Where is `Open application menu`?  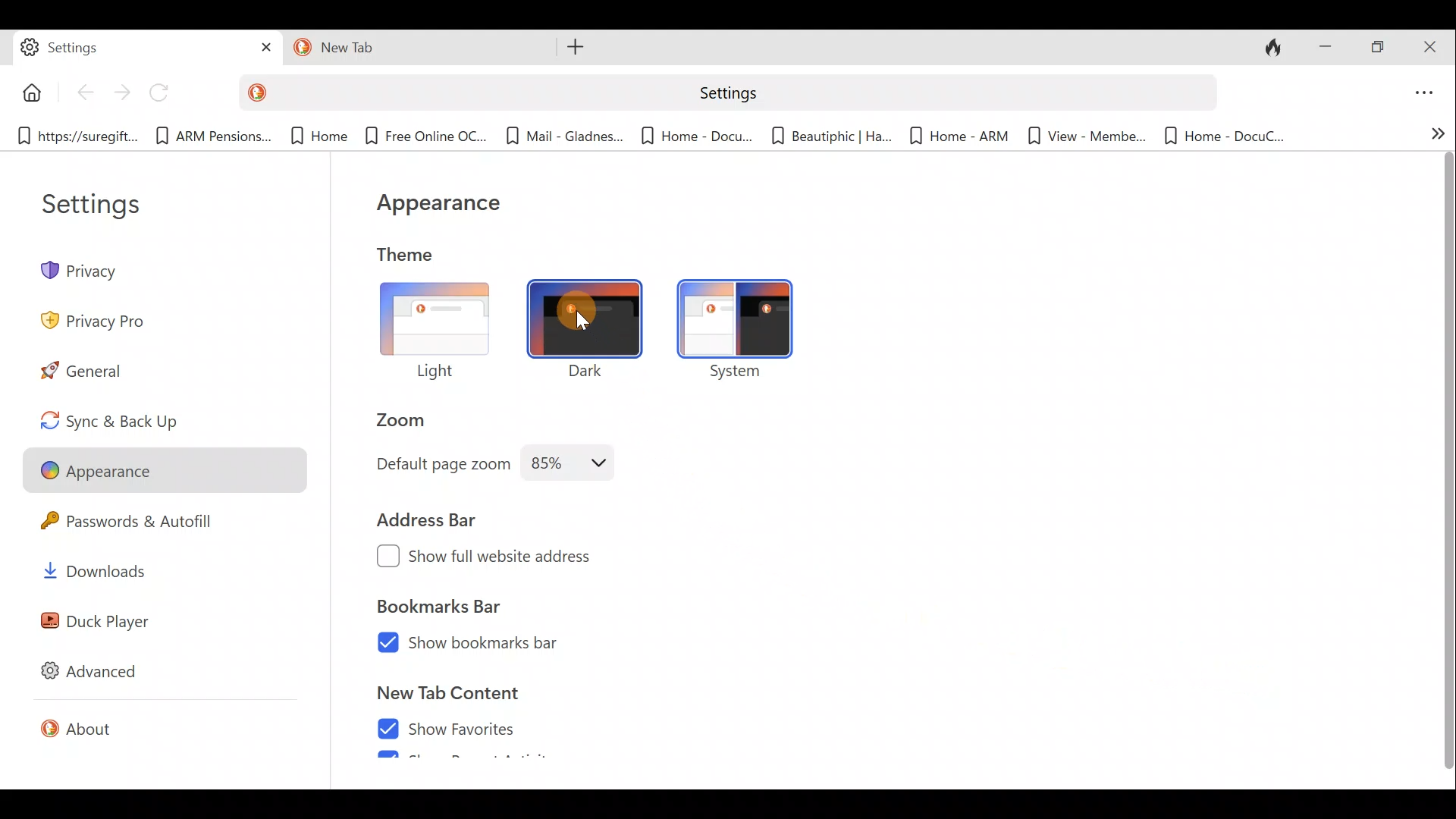 Open application menu is located at coordinates (1428, 93).